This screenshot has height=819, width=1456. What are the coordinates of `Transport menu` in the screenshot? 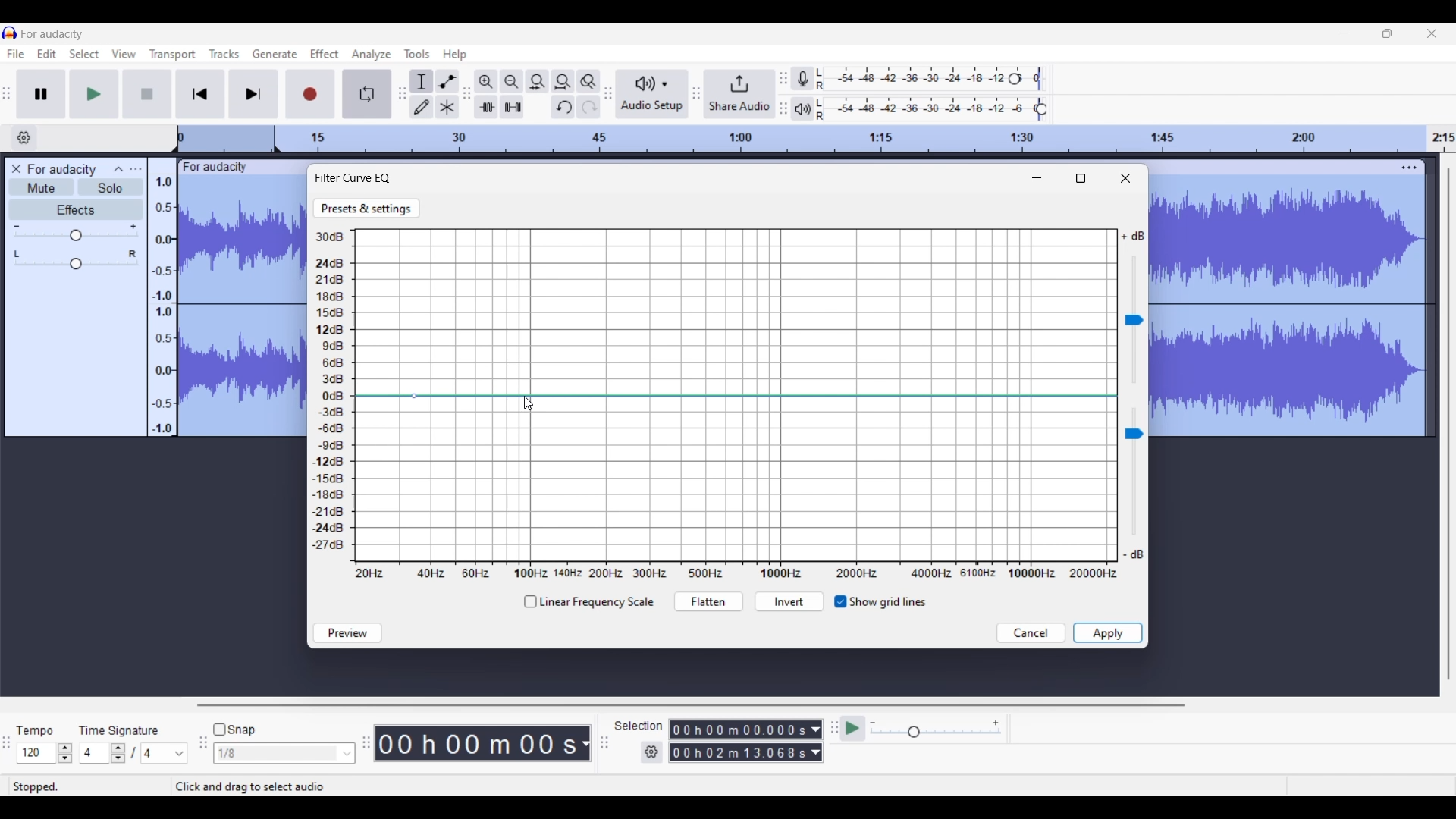 It's located at (172, 55).